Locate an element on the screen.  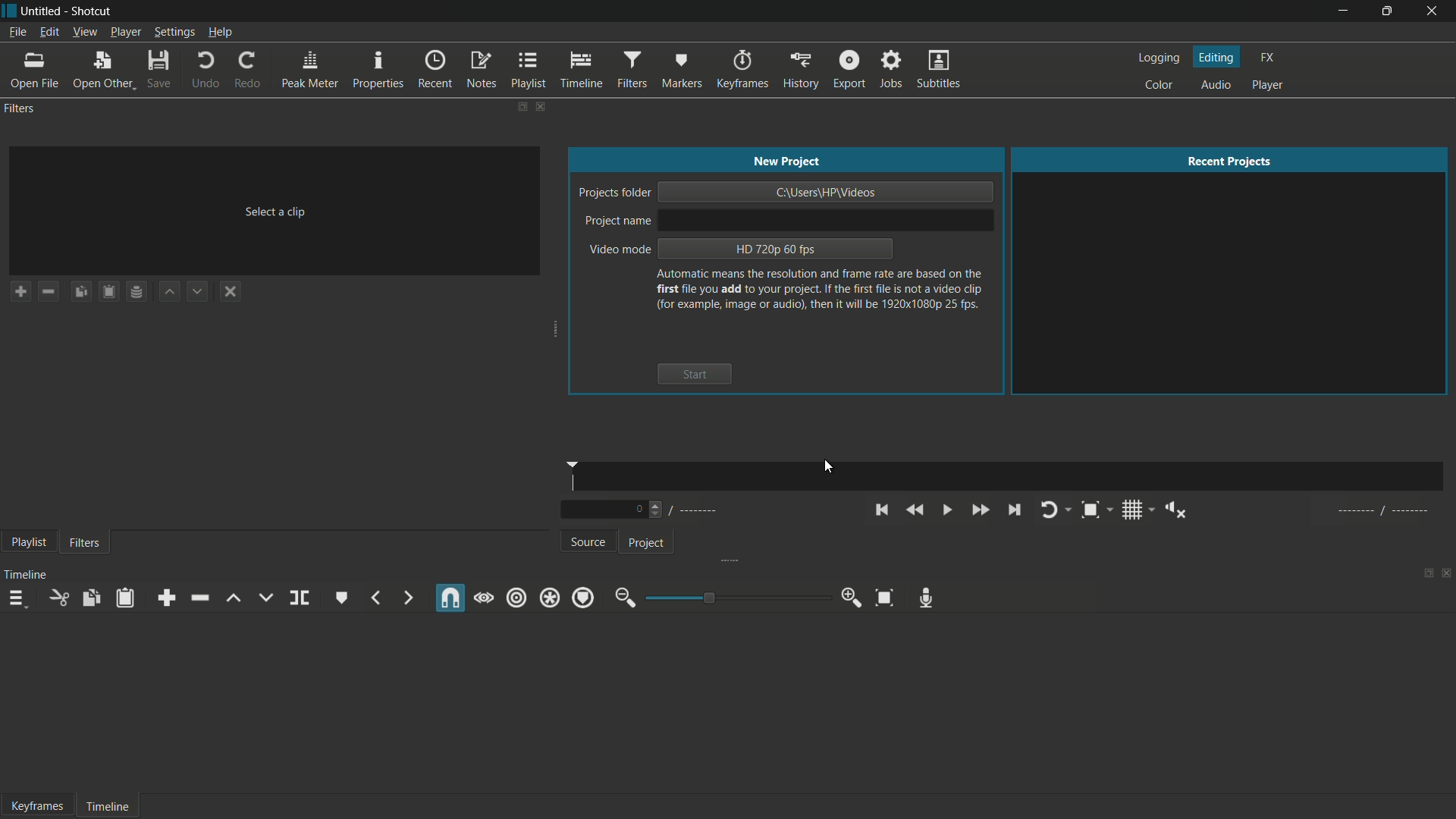
history is located at coordinates (801, 70).